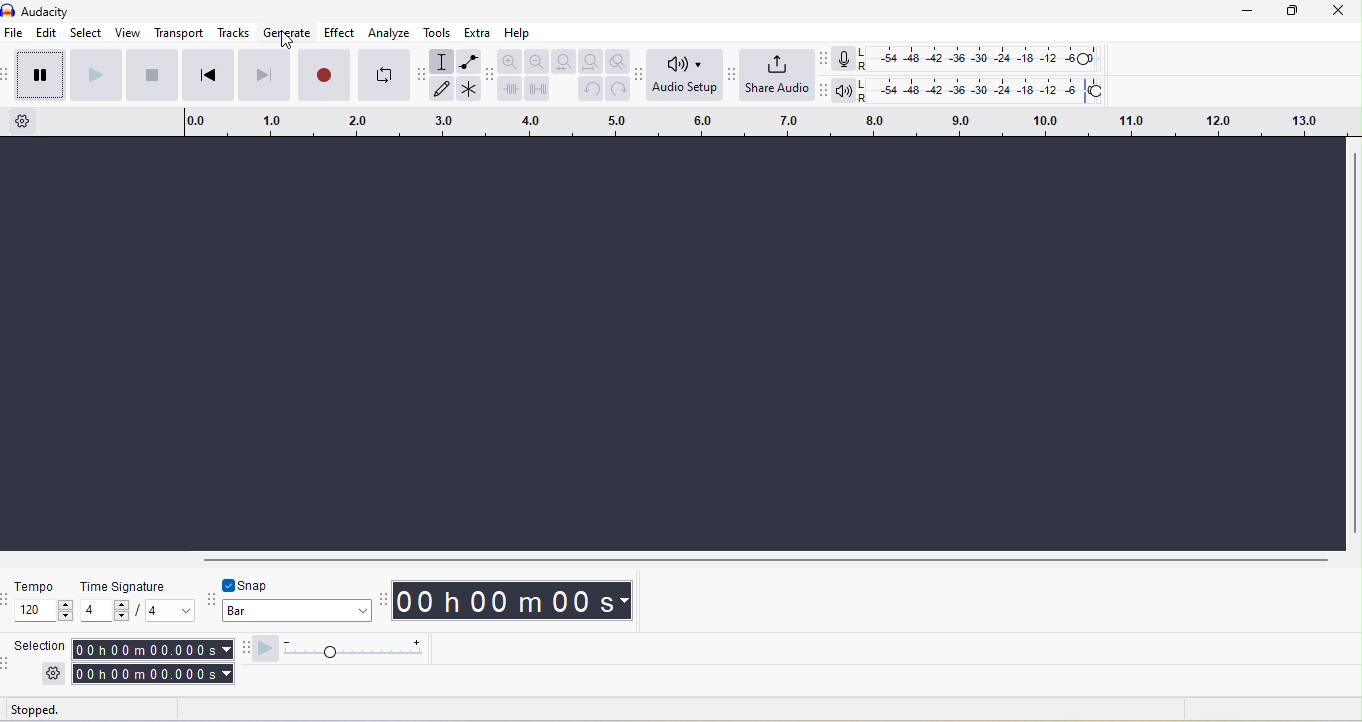 Image resolution: width=1362 pixels, height=722 pixels. What do you see at coordinates (98, 76) in the screenshot?
I see `play` at bounding box center [98, 76].